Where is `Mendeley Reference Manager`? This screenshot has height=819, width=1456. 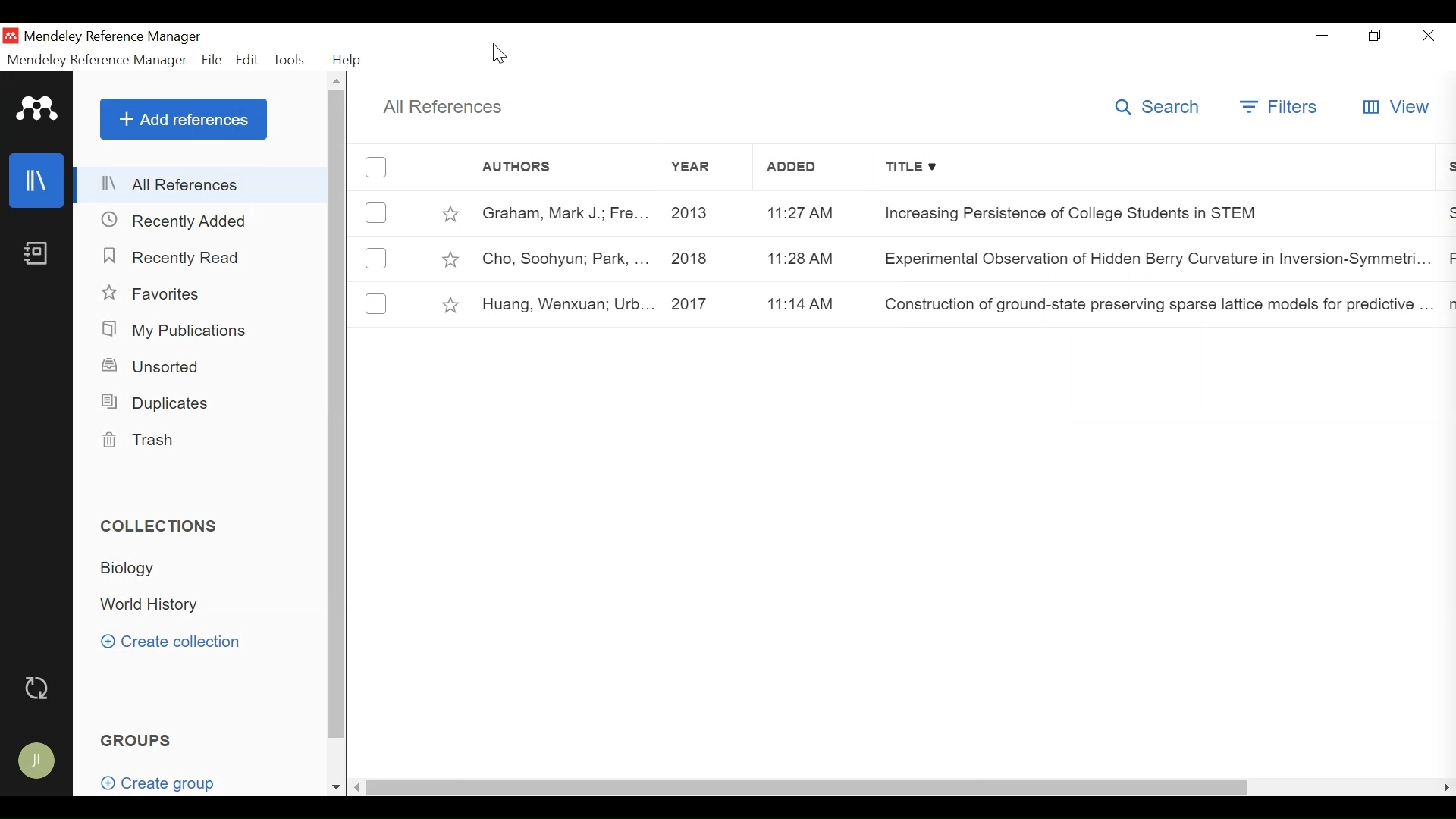 Mendeley Reference Manager is located at coordinates (116, 37).